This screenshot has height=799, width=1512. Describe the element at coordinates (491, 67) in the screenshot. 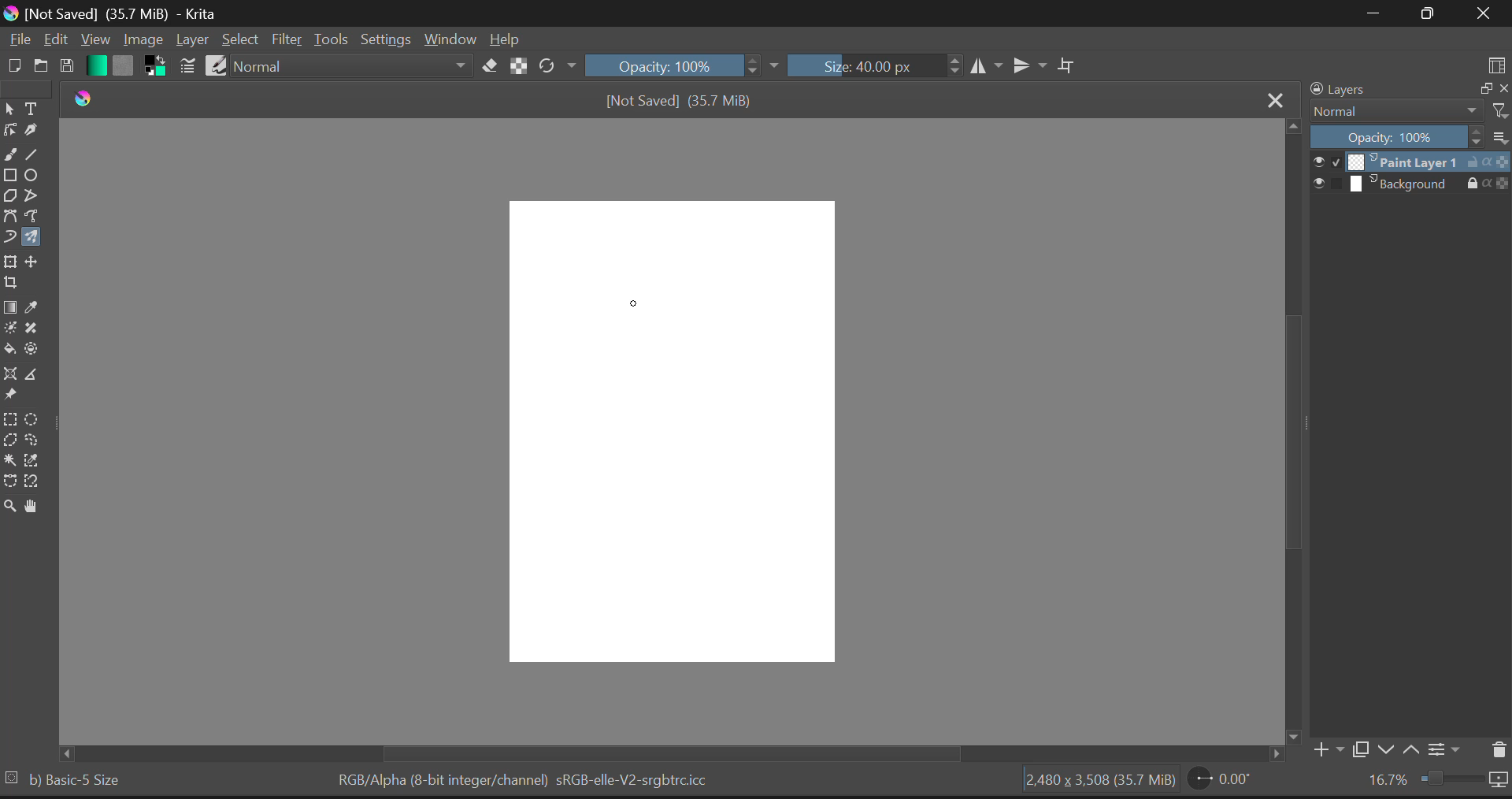

I see `Erase` at that location.